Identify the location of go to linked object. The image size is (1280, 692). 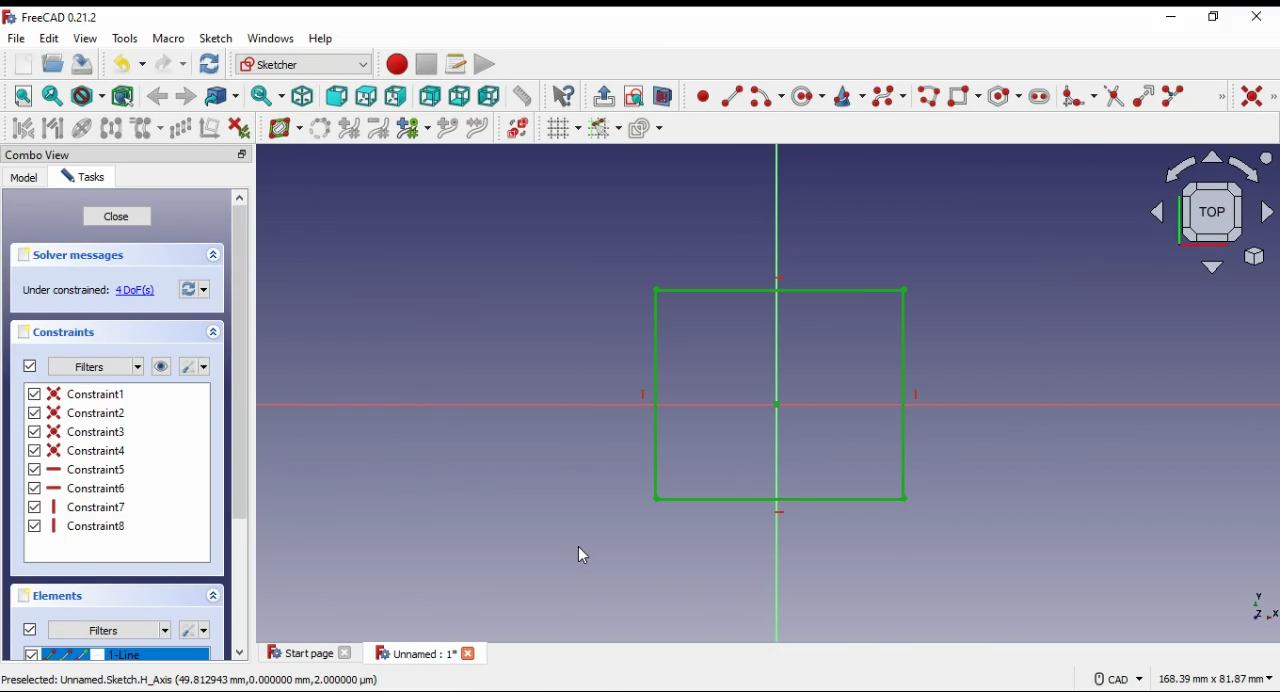
(223, 96).